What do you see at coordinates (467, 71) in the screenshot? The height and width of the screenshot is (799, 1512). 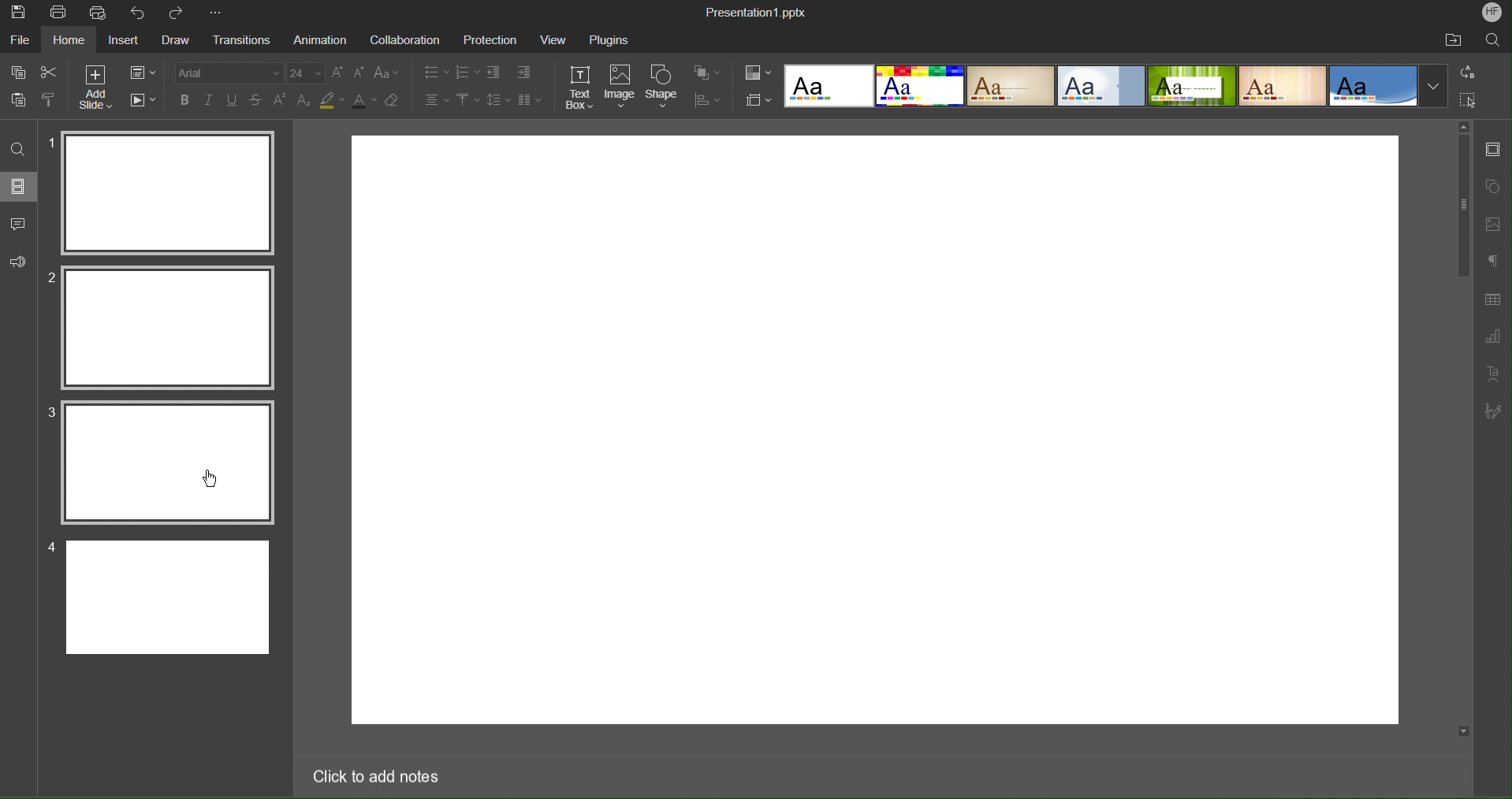 I see `Numbered List` at bounding box center [467, 71].